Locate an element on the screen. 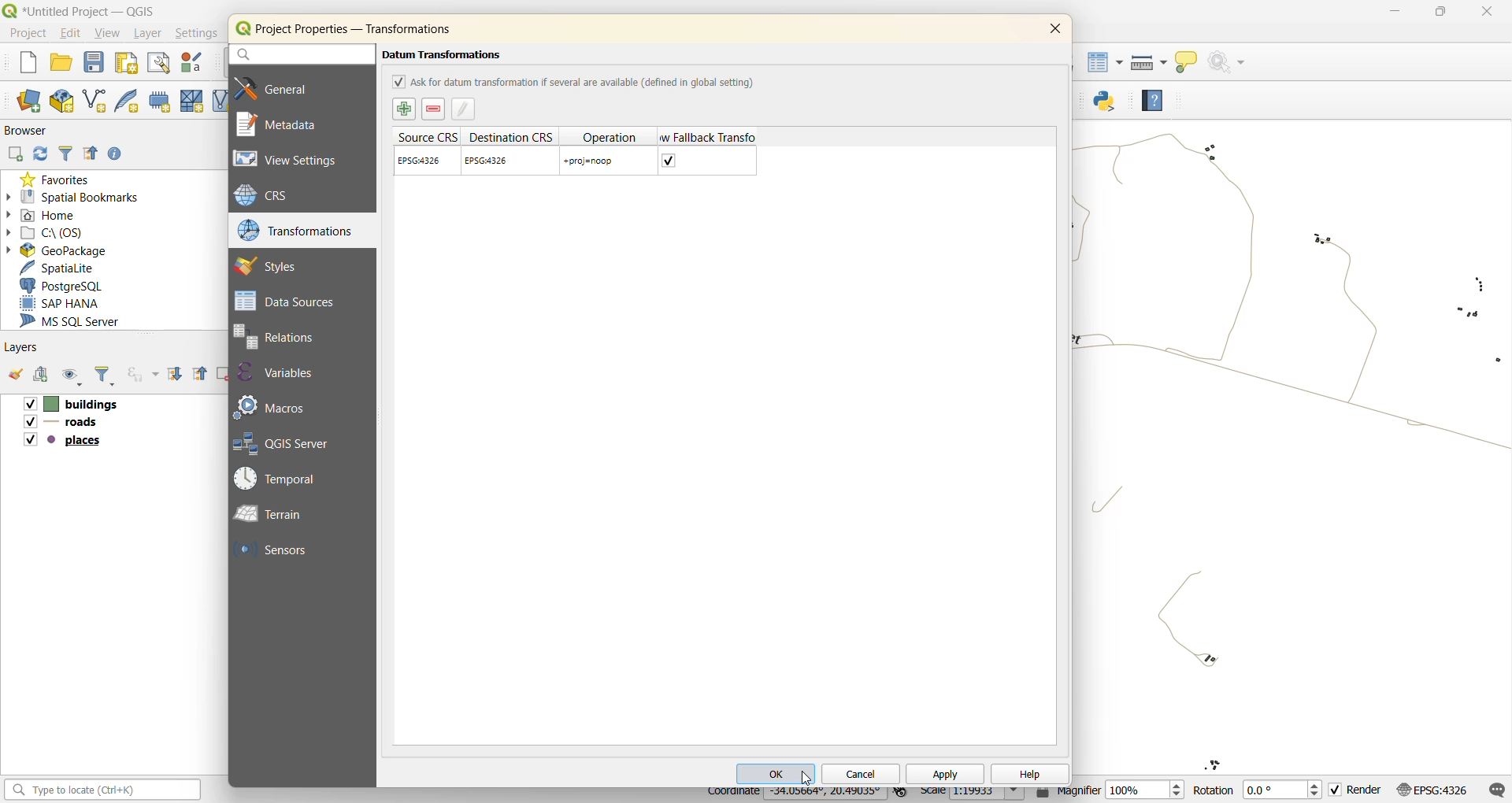 The image size is (1512, 803). rotation is located at coordinates (1258, 790).